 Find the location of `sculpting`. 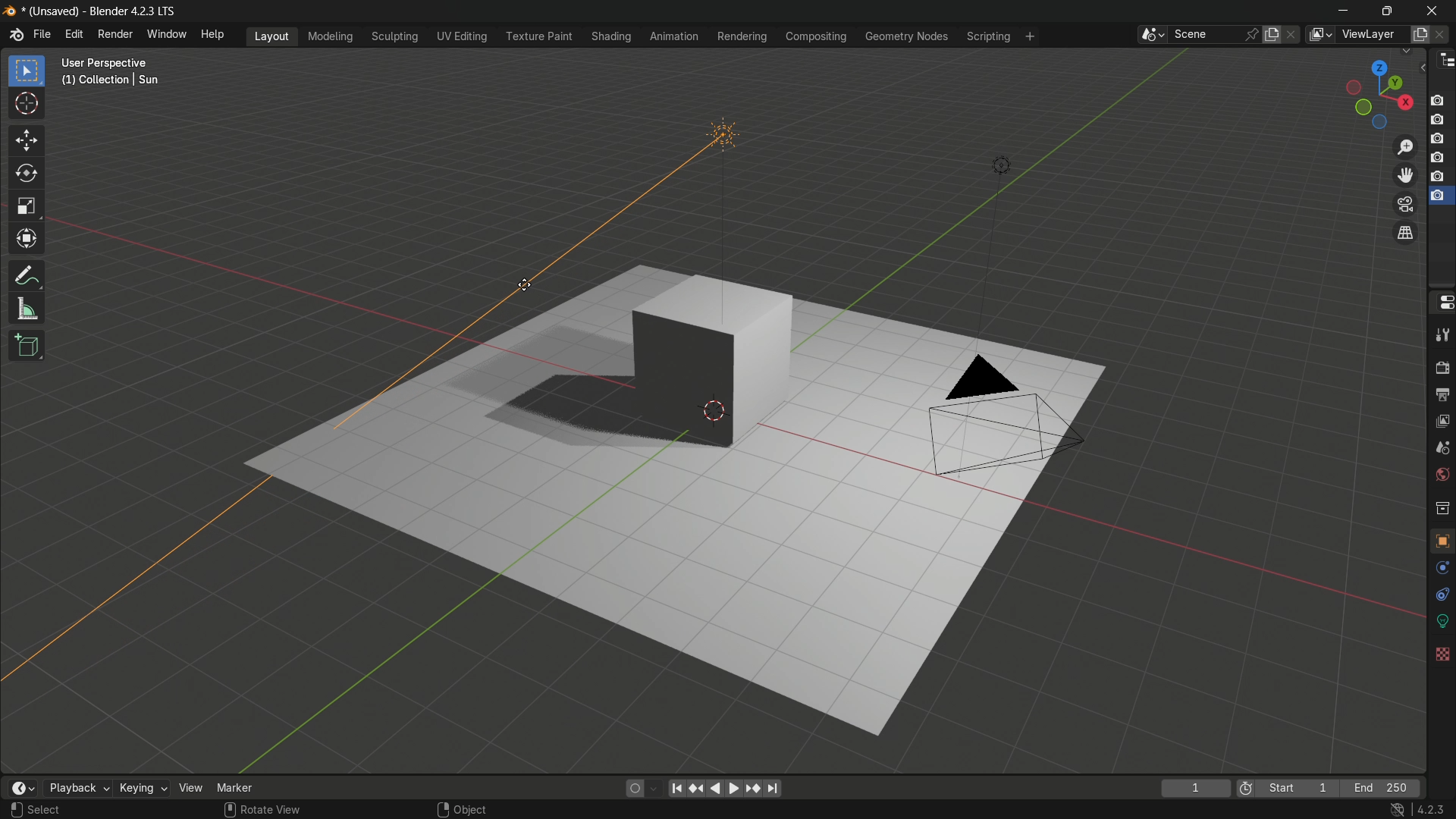

sculpting is located at coordinates (394, 37).